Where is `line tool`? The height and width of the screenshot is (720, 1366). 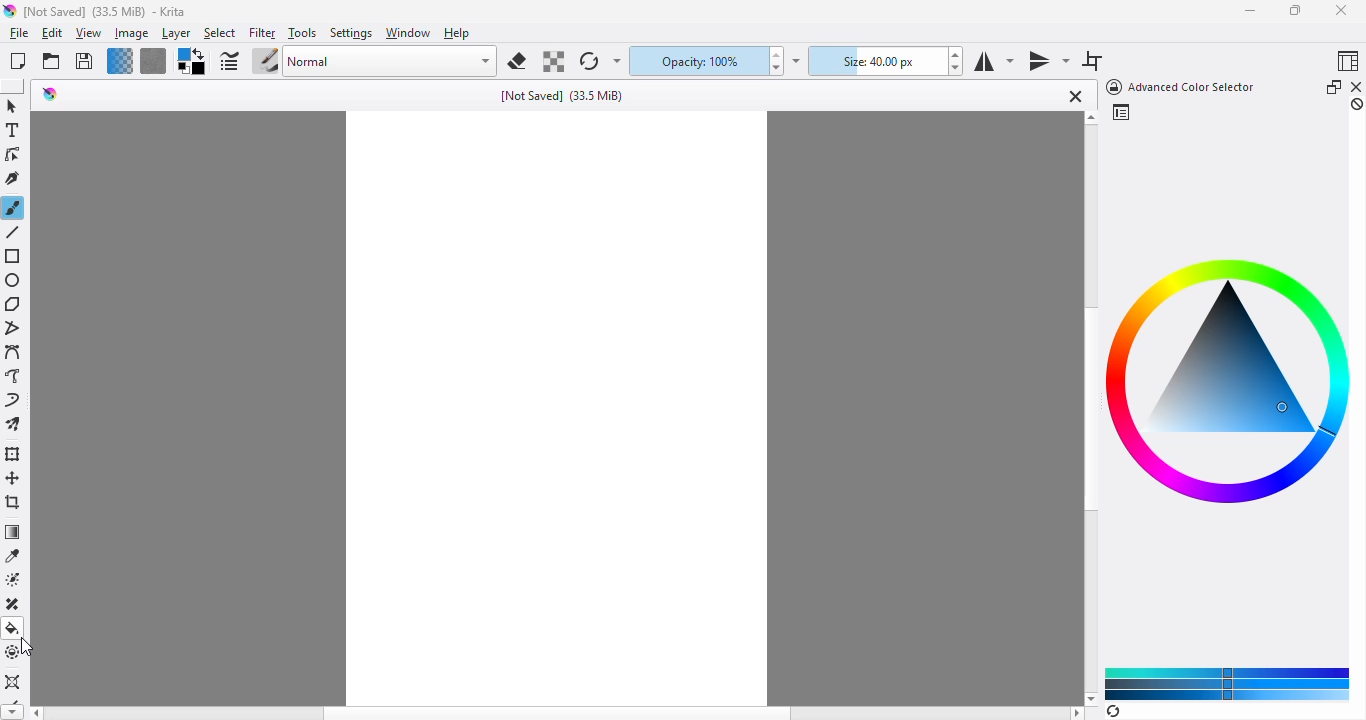
line tool is located at coordinates (12, 232).